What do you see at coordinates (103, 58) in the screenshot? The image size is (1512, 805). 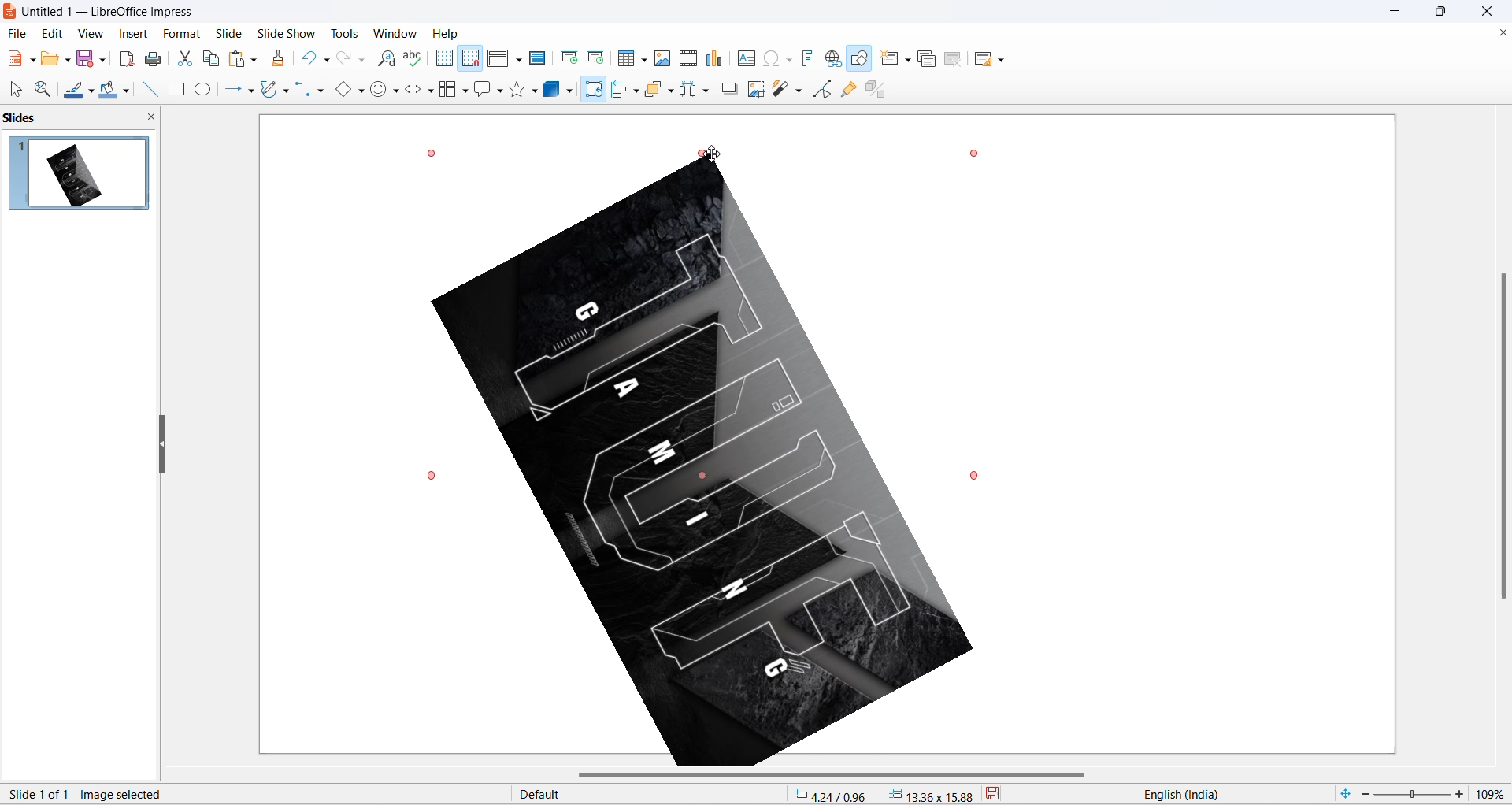 I see `save options` at bounding box center [103, 58].